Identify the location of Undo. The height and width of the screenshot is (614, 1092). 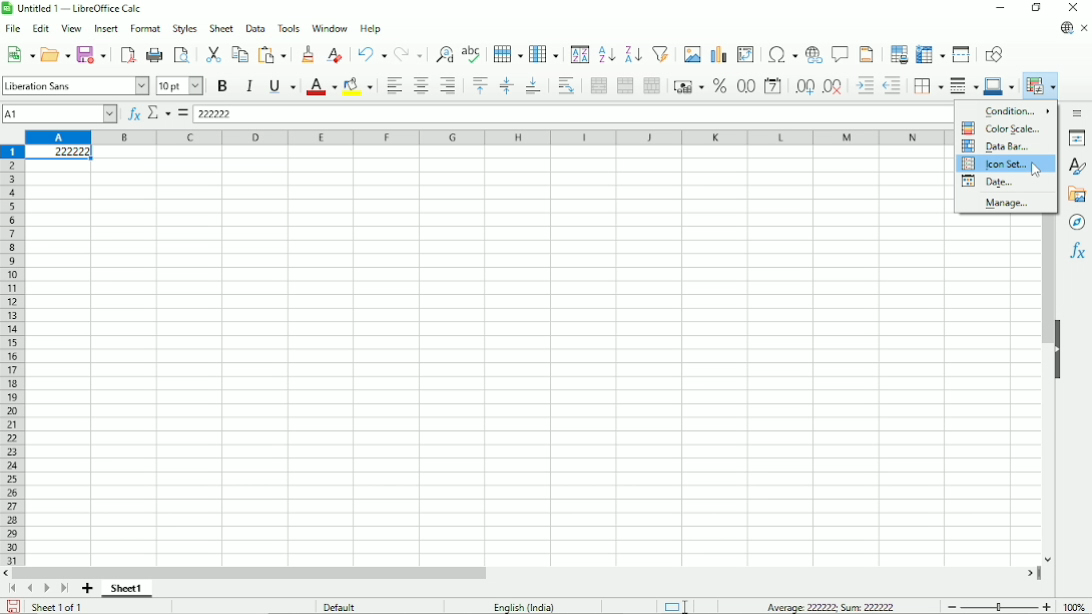
(371, 53).